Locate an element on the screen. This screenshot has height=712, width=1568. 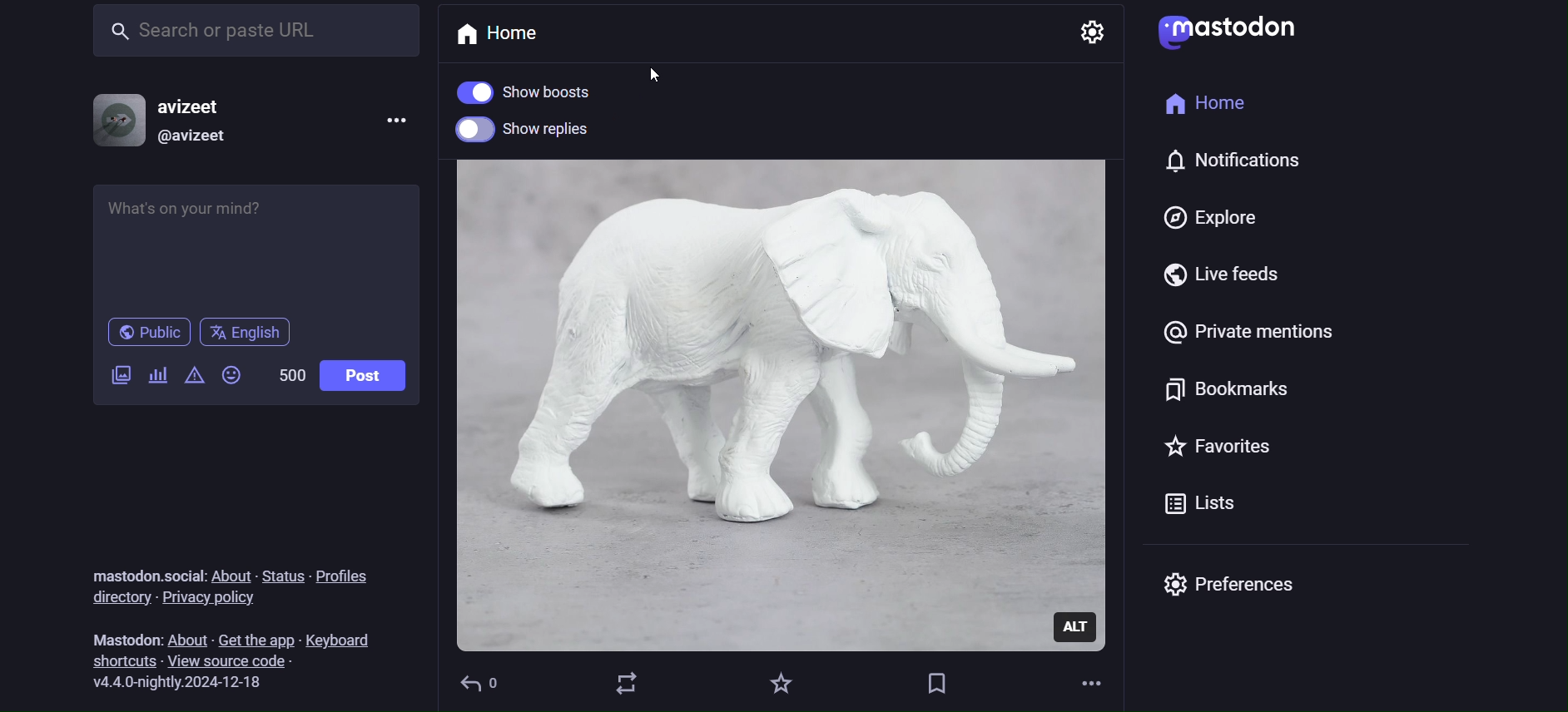
view source code is located at coordinates (241, 661).